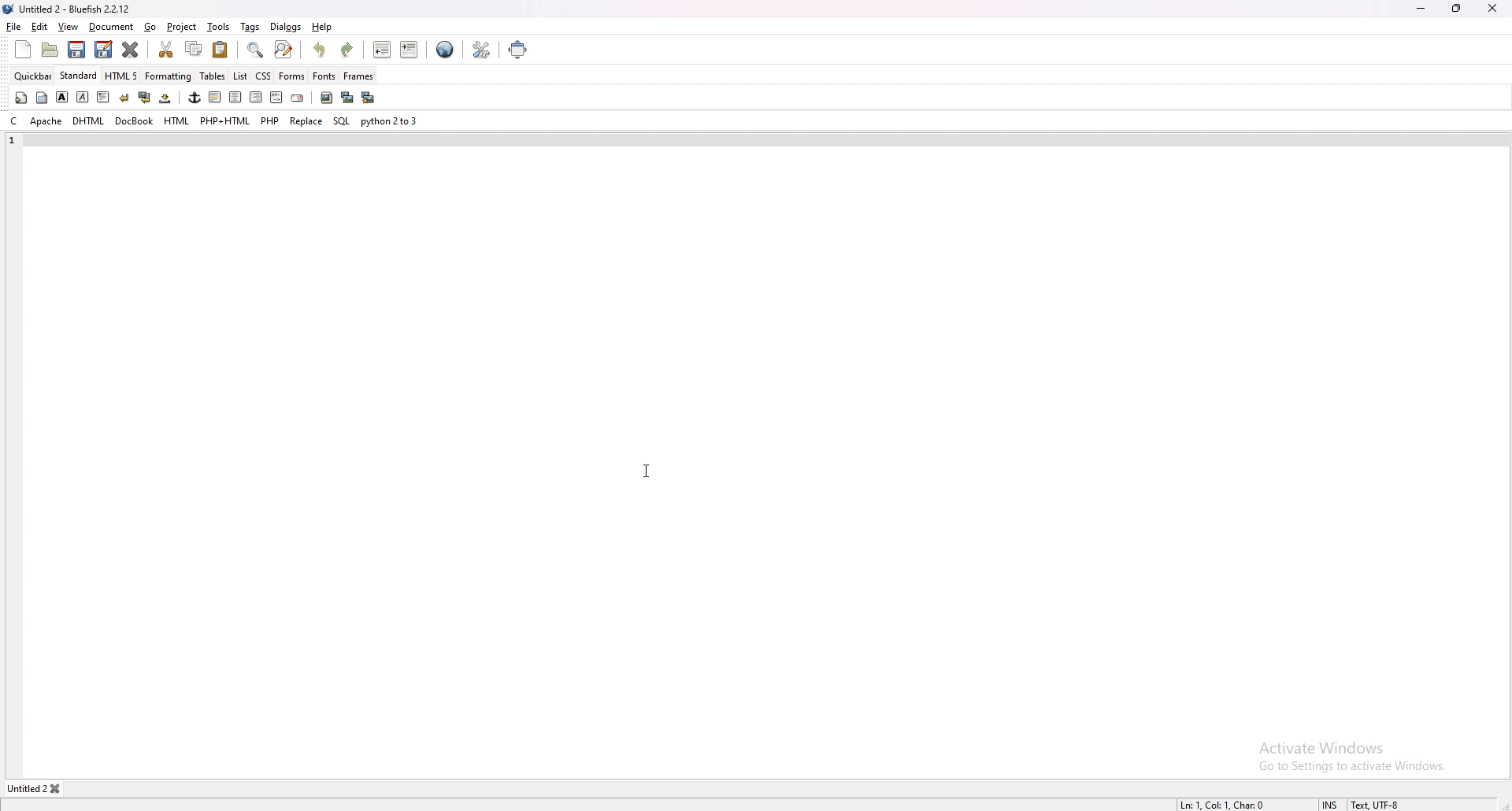 The image size is (1512, 811). Describe the element at coordinates (327, 98) in the screenshot. I see `insert image` at that location.